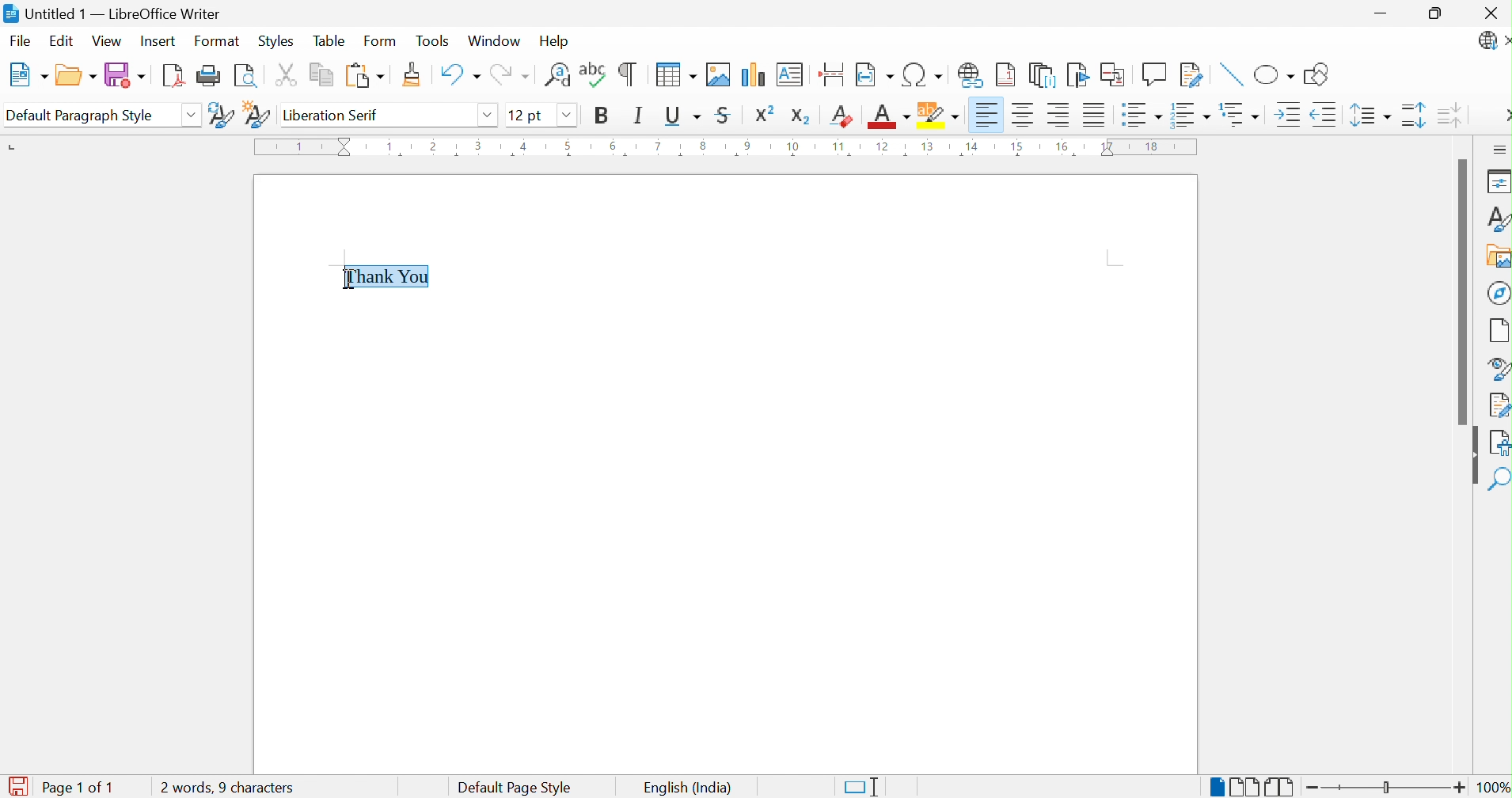  I want to click on Form, so click(382, 41).